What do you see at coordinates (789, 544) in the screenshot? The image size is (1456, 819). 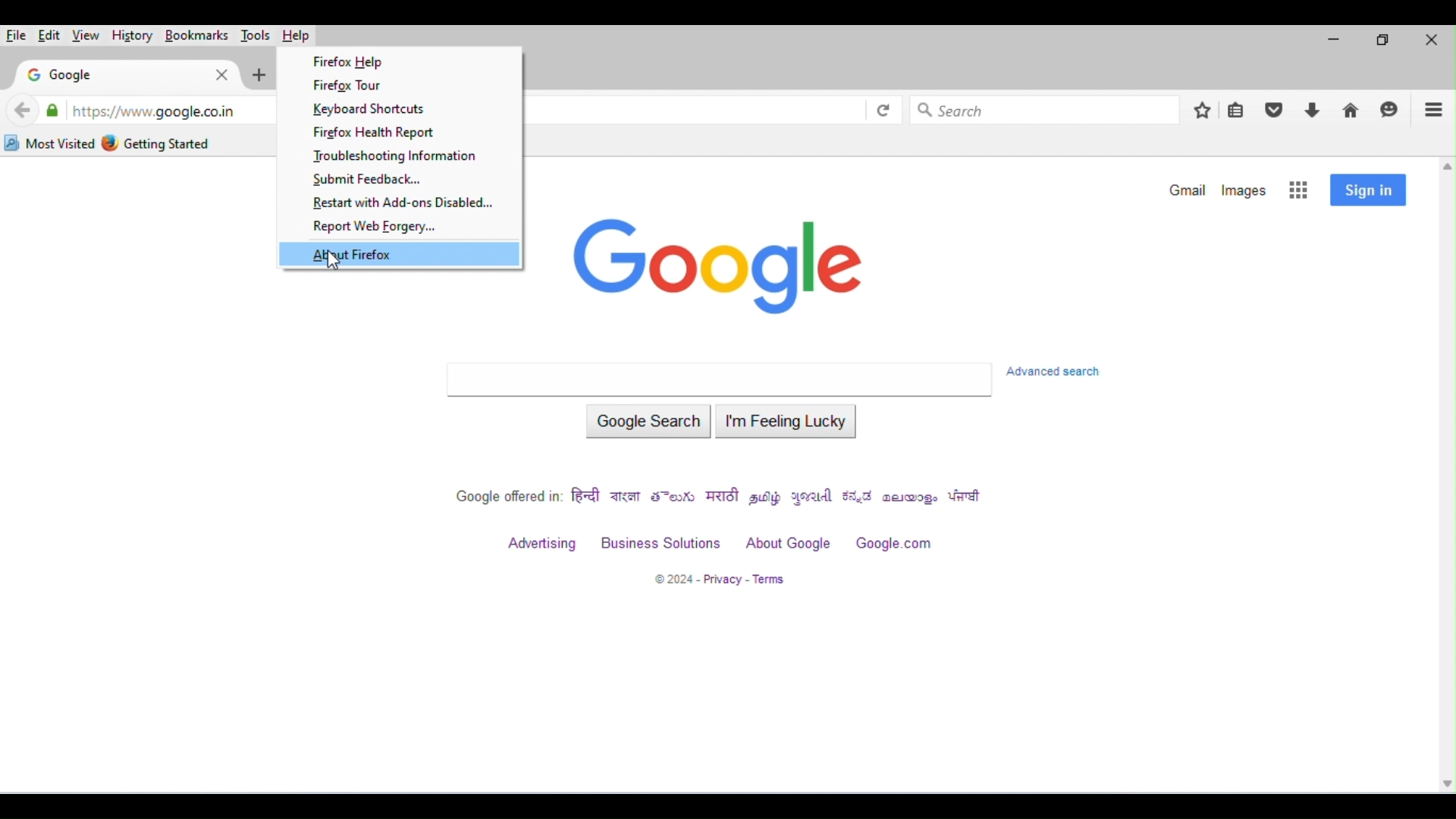 I see `about google` at bounding box center [789, 544].